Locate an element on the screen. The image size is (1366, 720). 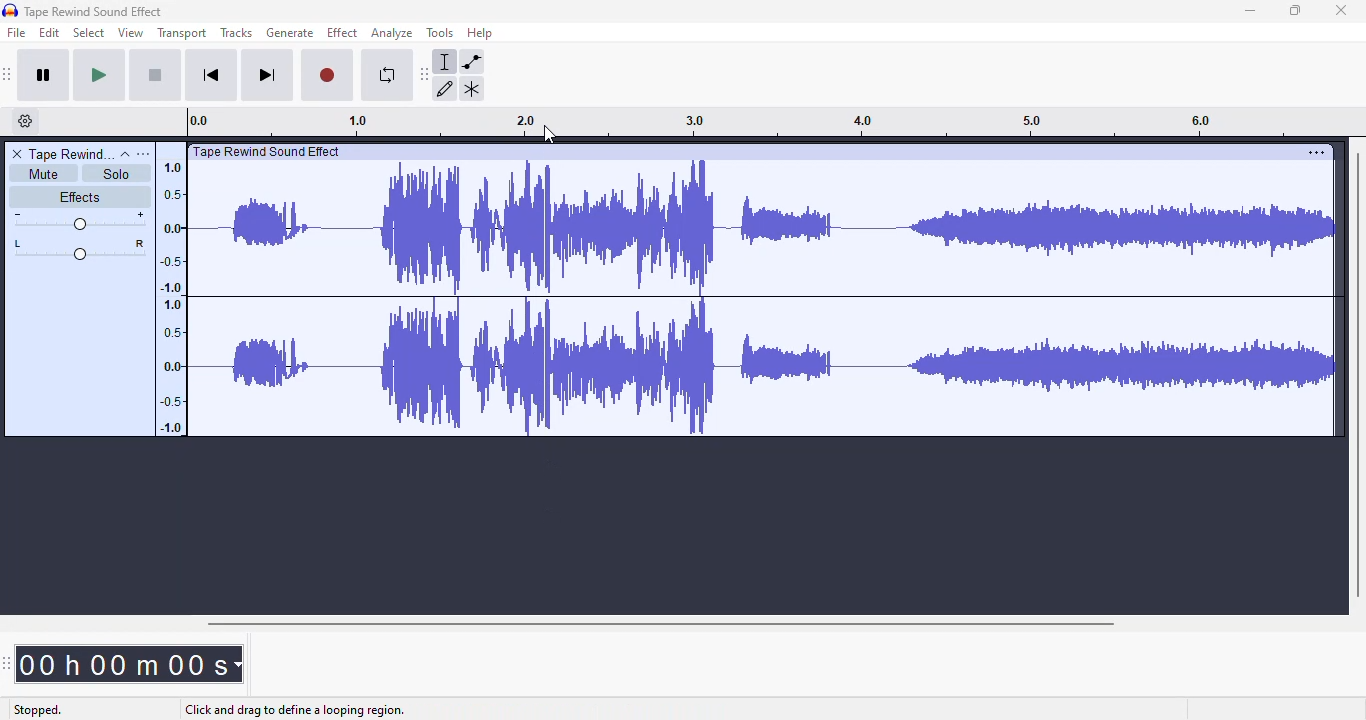
envelope tool is located at coordinates (472, 62).